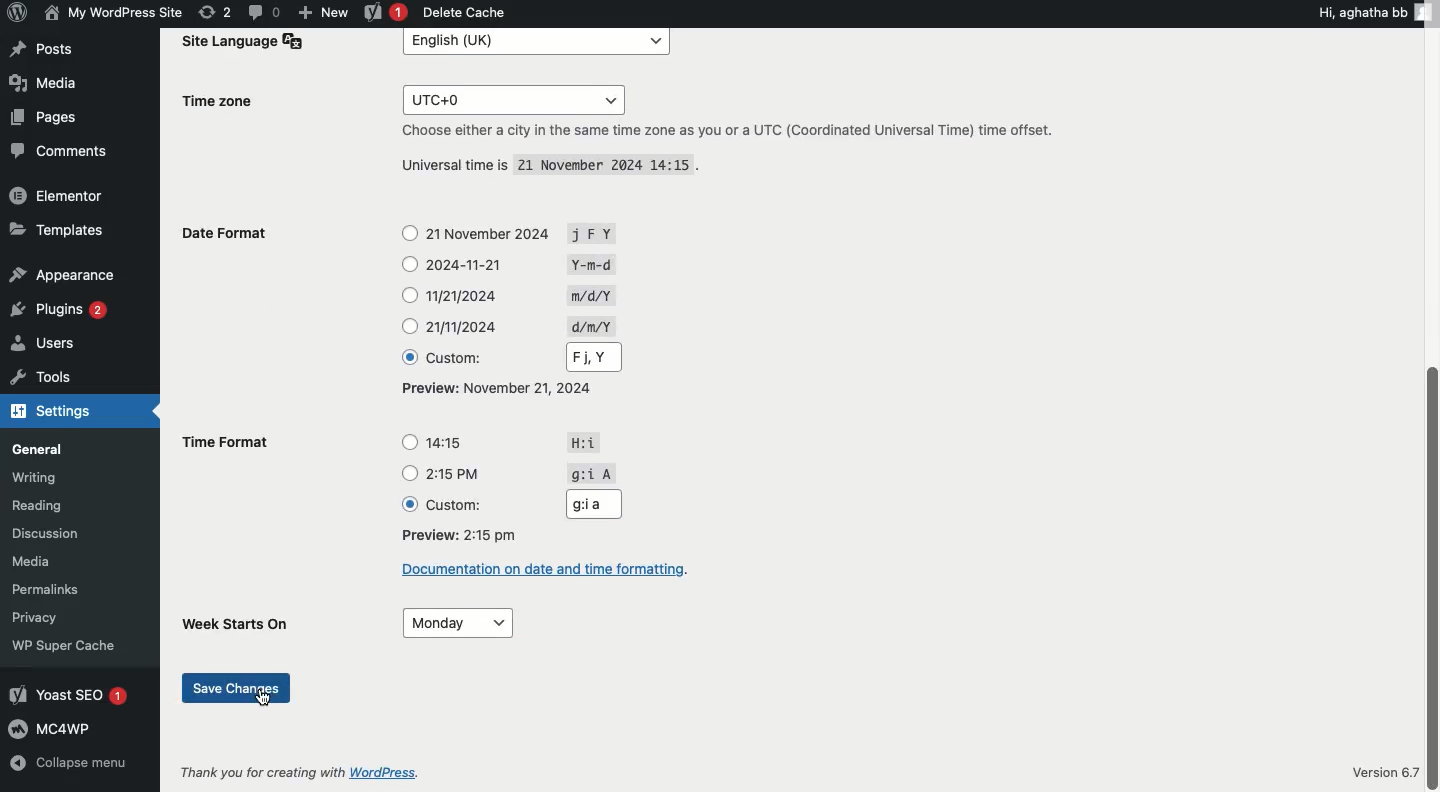  I want to click on Yoast, so click(382, 14).